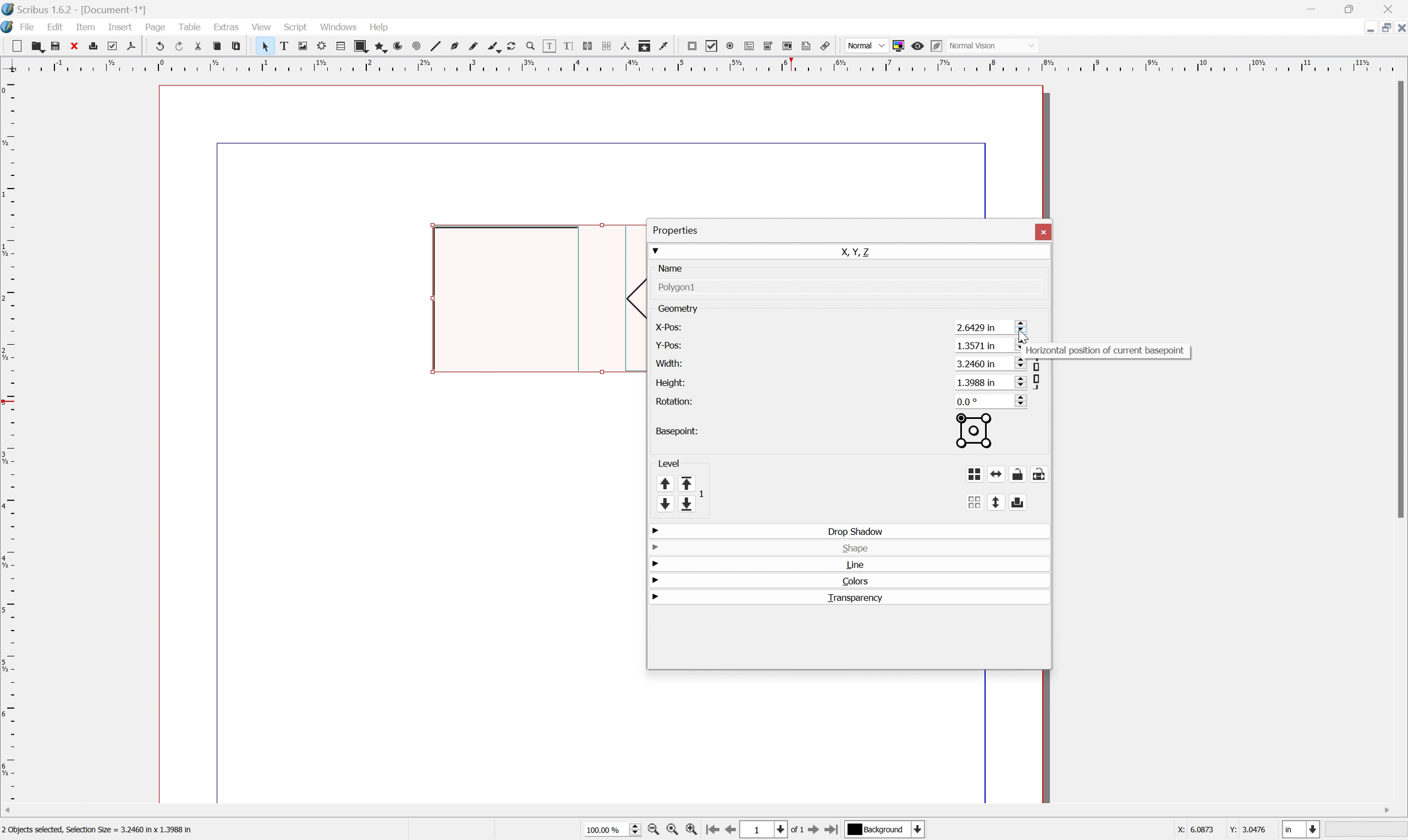 Image resolution: width=1408 pixels, height=840 pixels. What do you see at coordinates (855, 581) in the screenshot?
I see `colors` at bounding box center [855, 581].